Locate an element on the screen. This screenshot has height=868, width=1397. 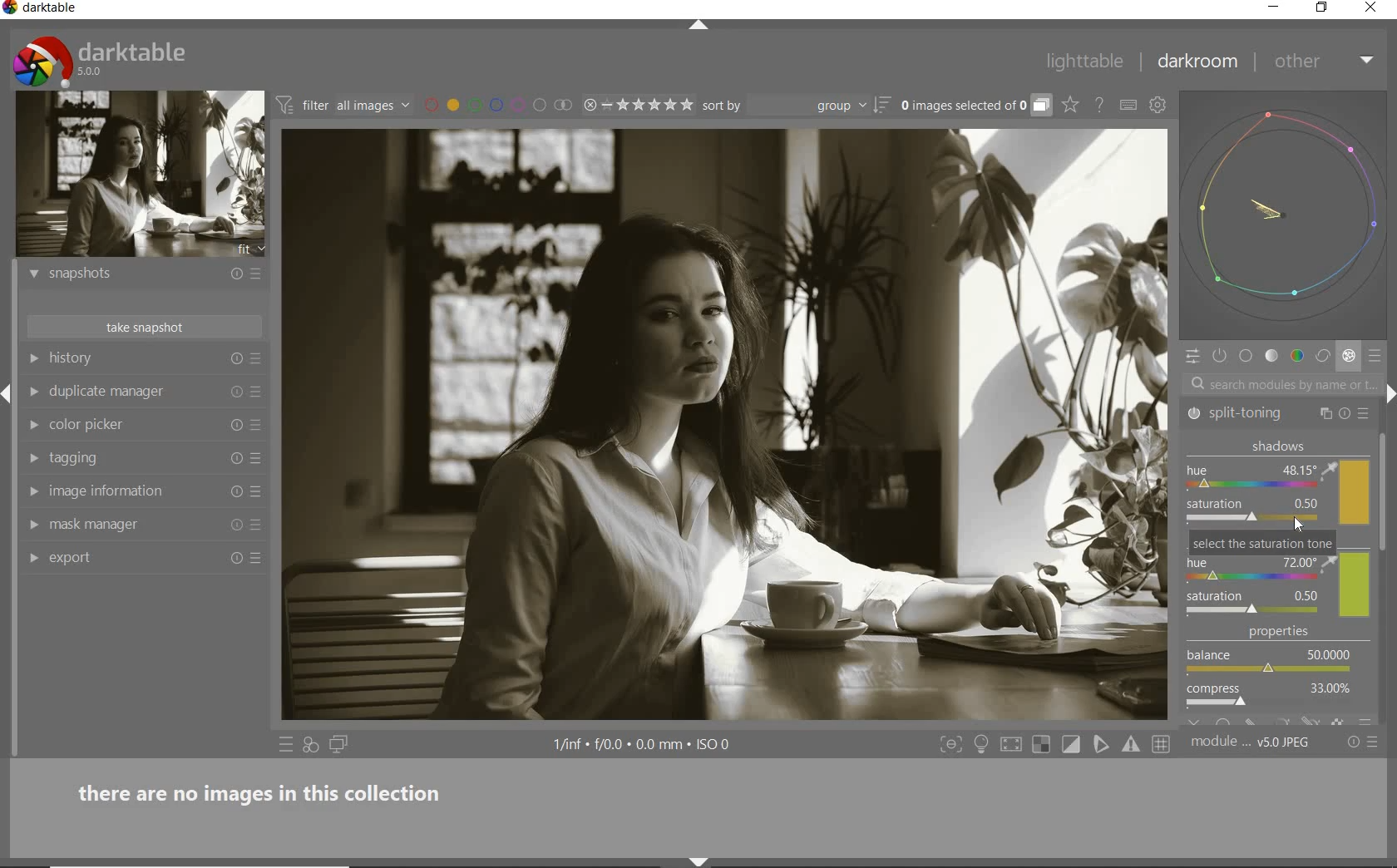
quick access to preset is located at coordinates (286, 744).